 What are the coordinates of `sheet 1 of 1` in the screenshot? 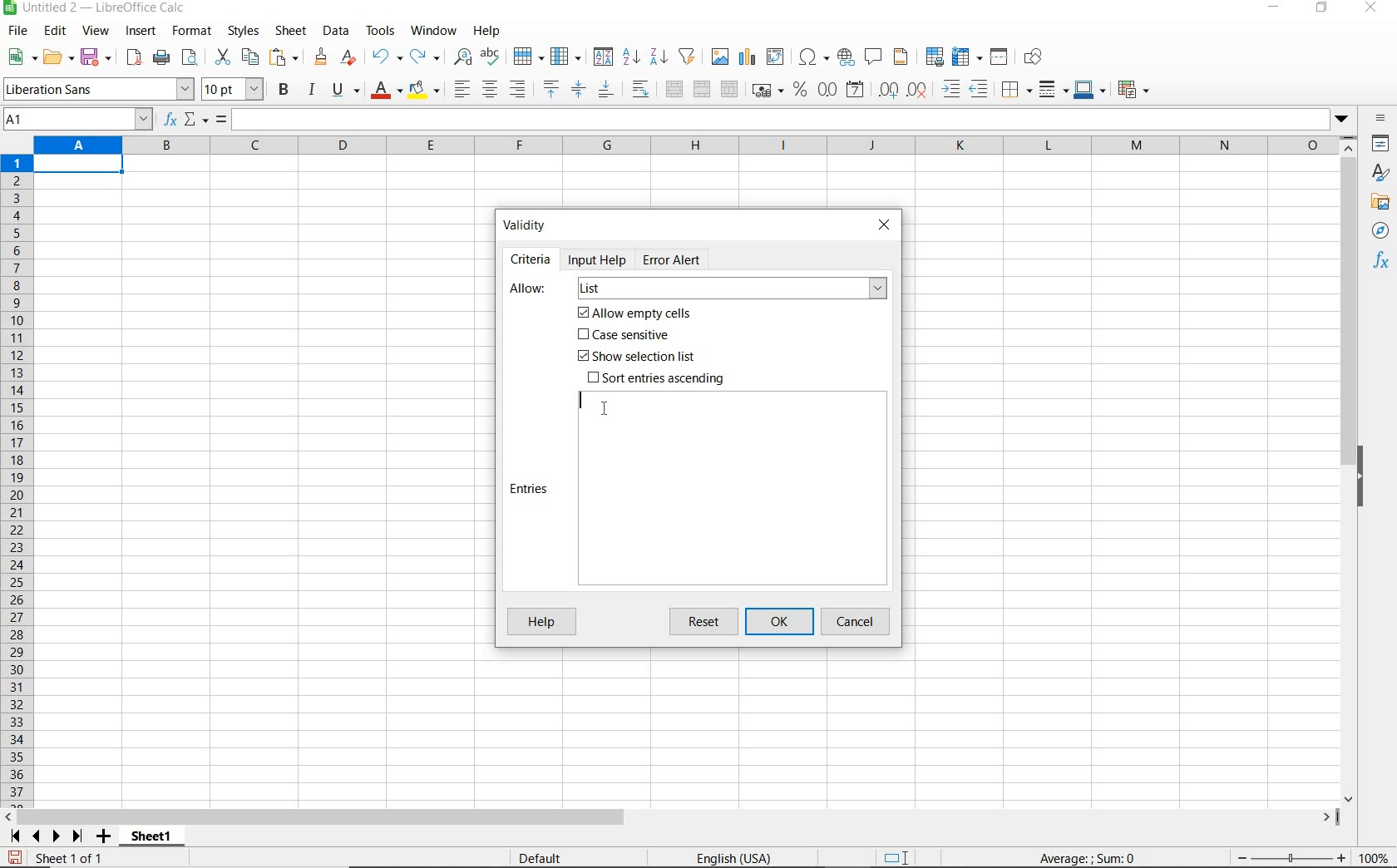 It's located at (75, 859).